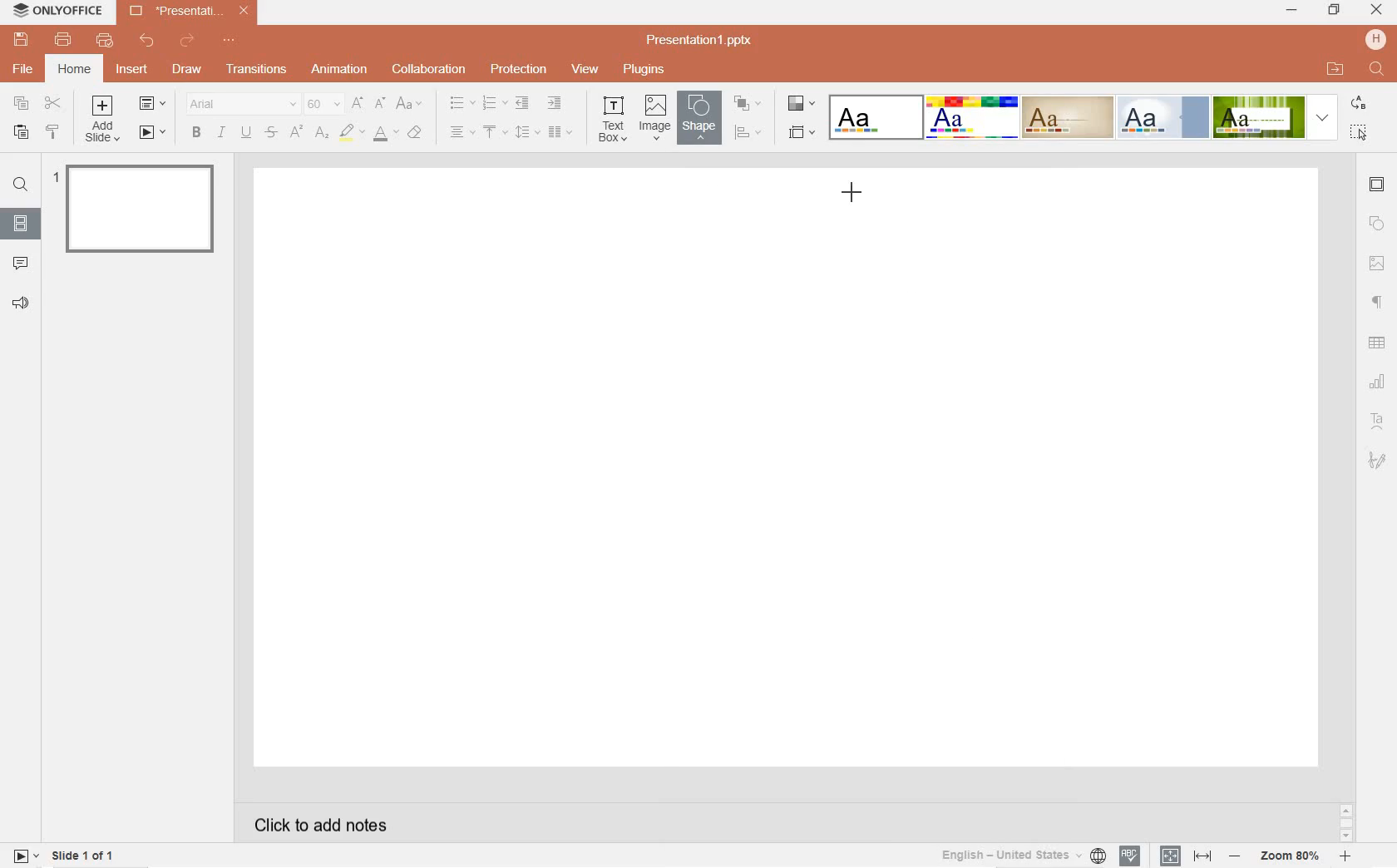 Image resolution: width=1397 pixels, height=868 pixels. What do you see at coordinates (697, 117) in the screenshot?
I see `shape` at bounding box center [697, 117].